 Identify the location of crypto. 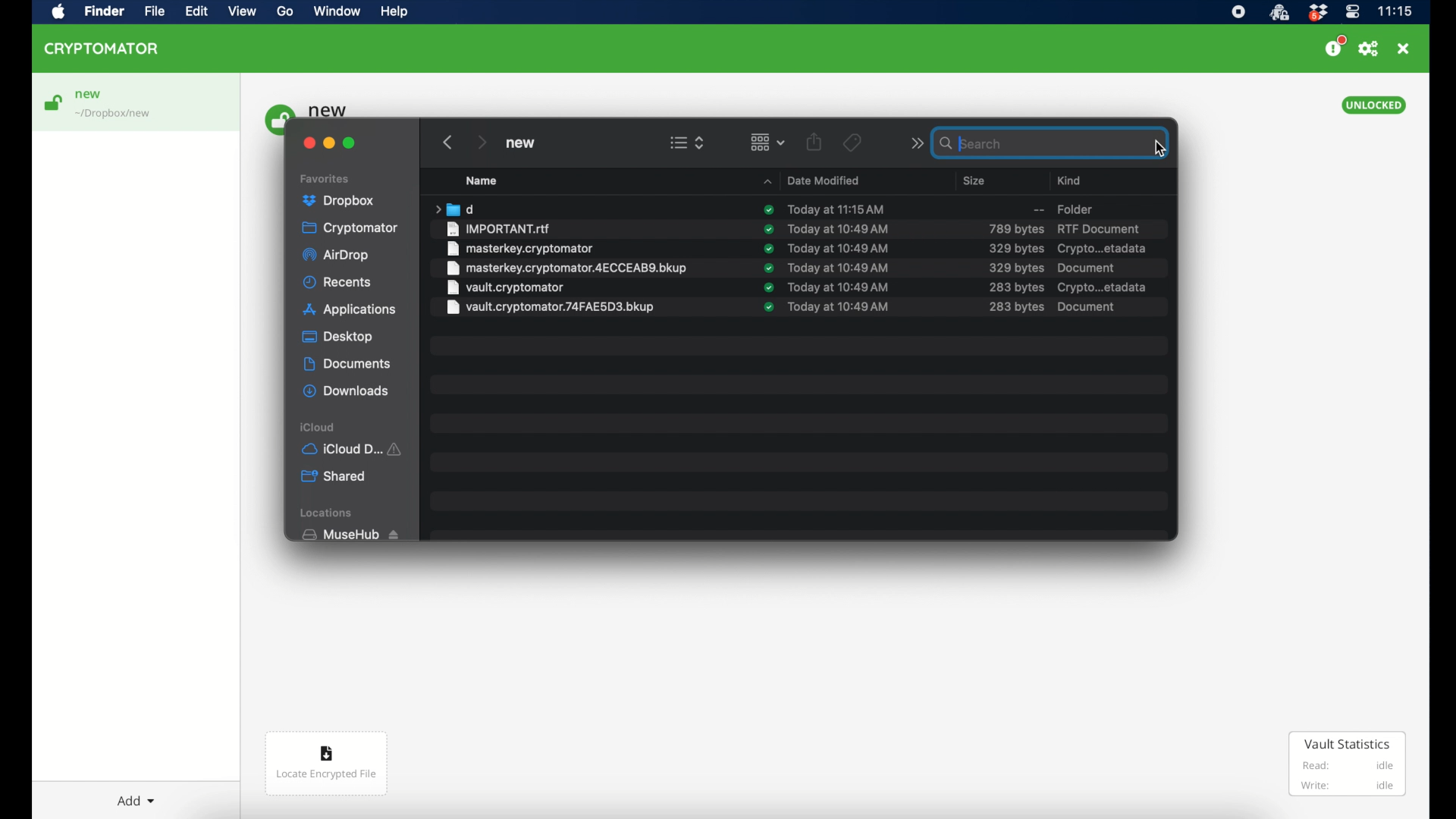
(1102, 248).